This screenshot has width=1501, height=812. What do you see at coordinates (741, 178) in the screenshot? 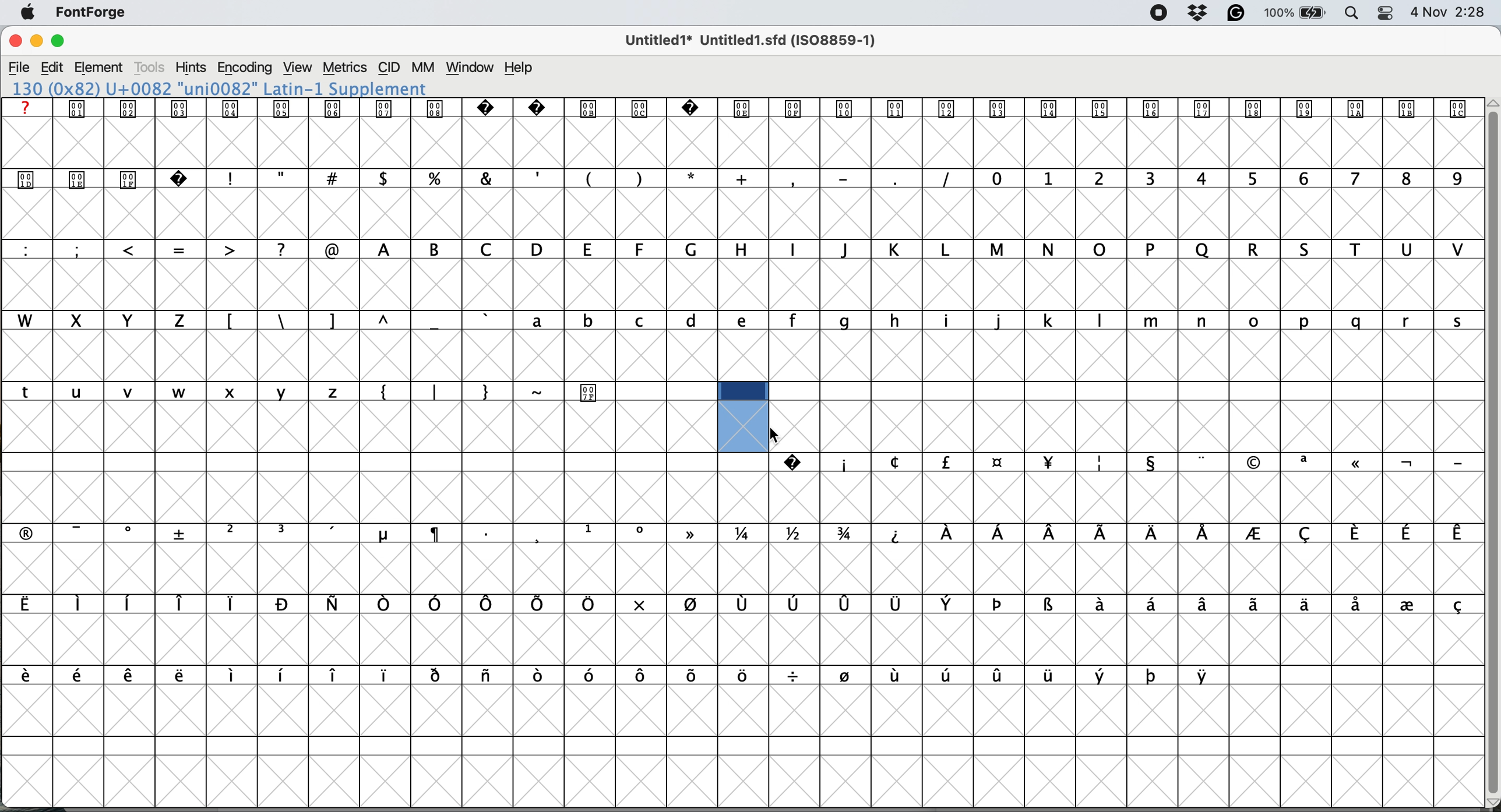
I see `special characters` at bounding box center [741, 178].